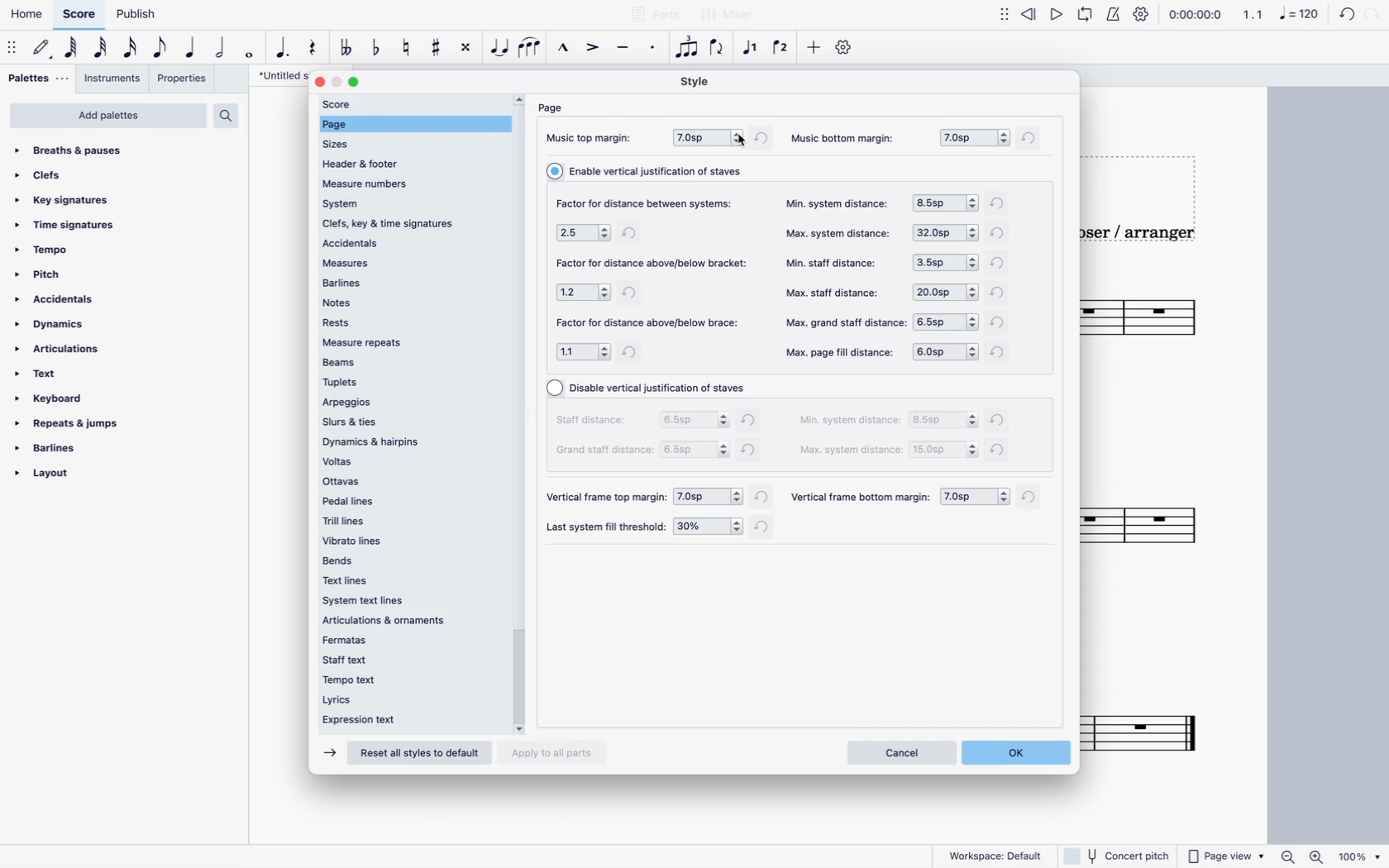 The image size is (1389, 868). Describe the element at coordinates (409, 203) in the screenshot. I see `system` at that location.